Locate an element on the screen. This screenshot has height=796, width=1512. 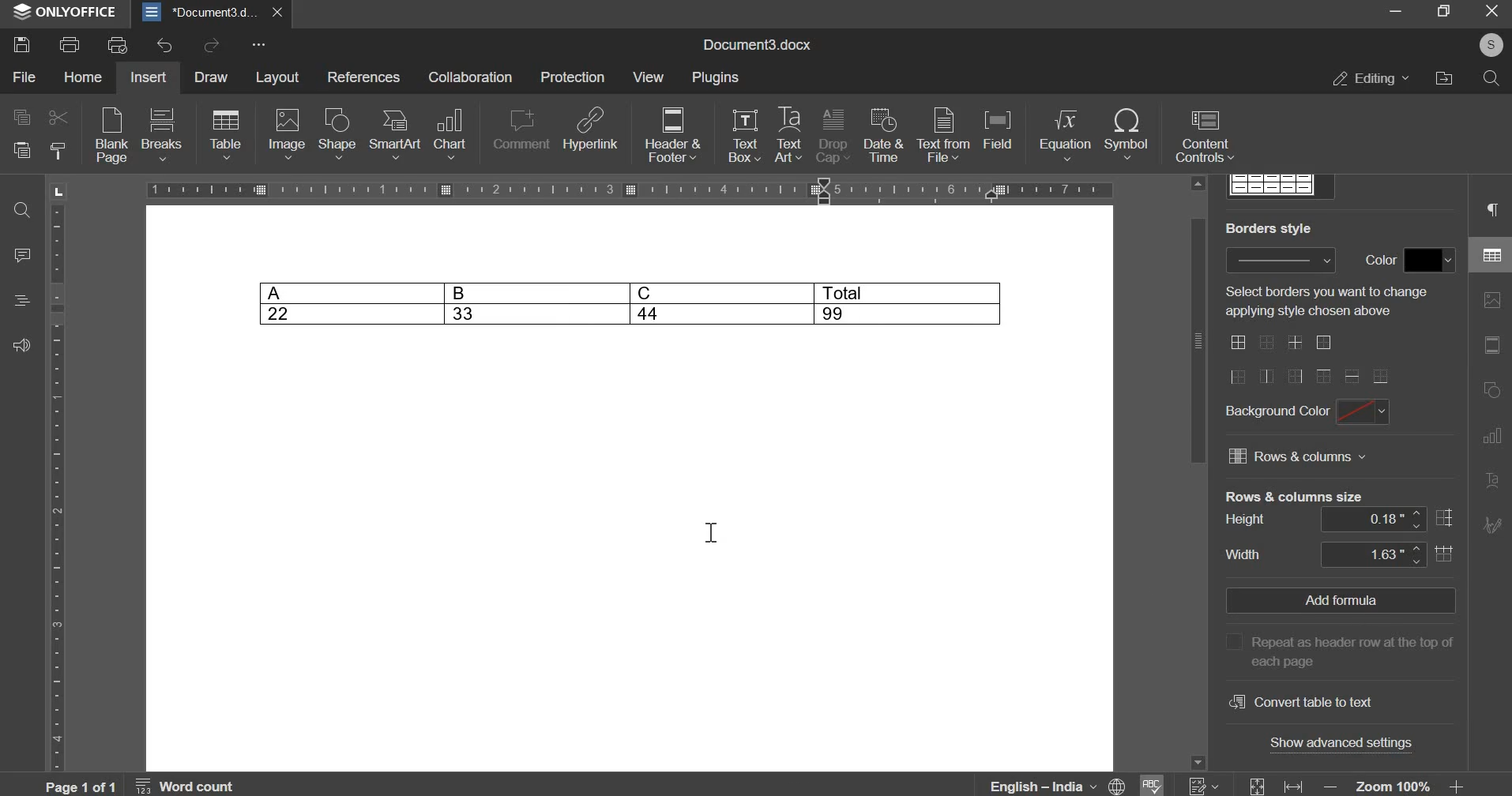
headings is located at coordinates (24, 301).